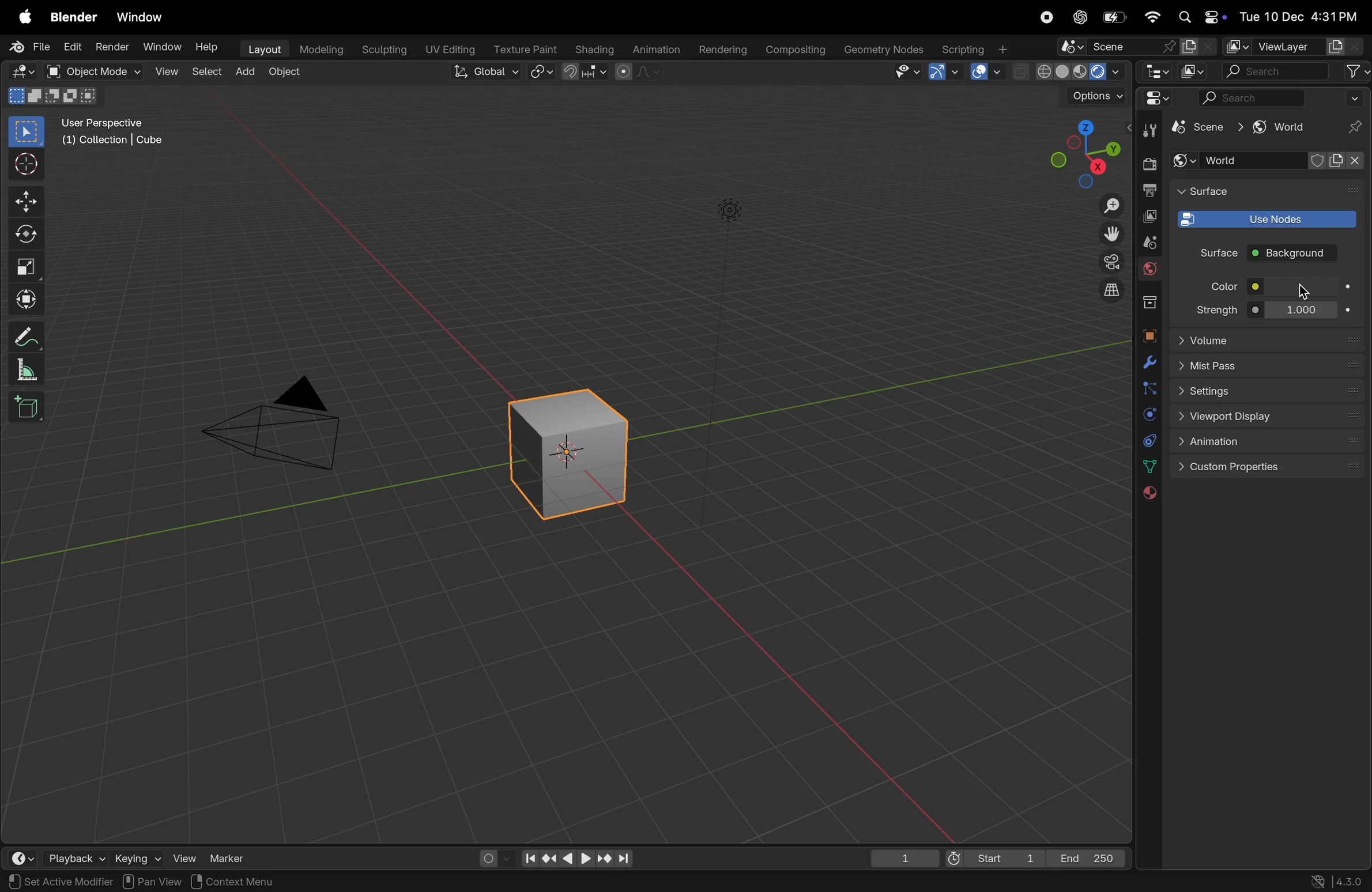  I want to click on Modelling, so click(316, 50).